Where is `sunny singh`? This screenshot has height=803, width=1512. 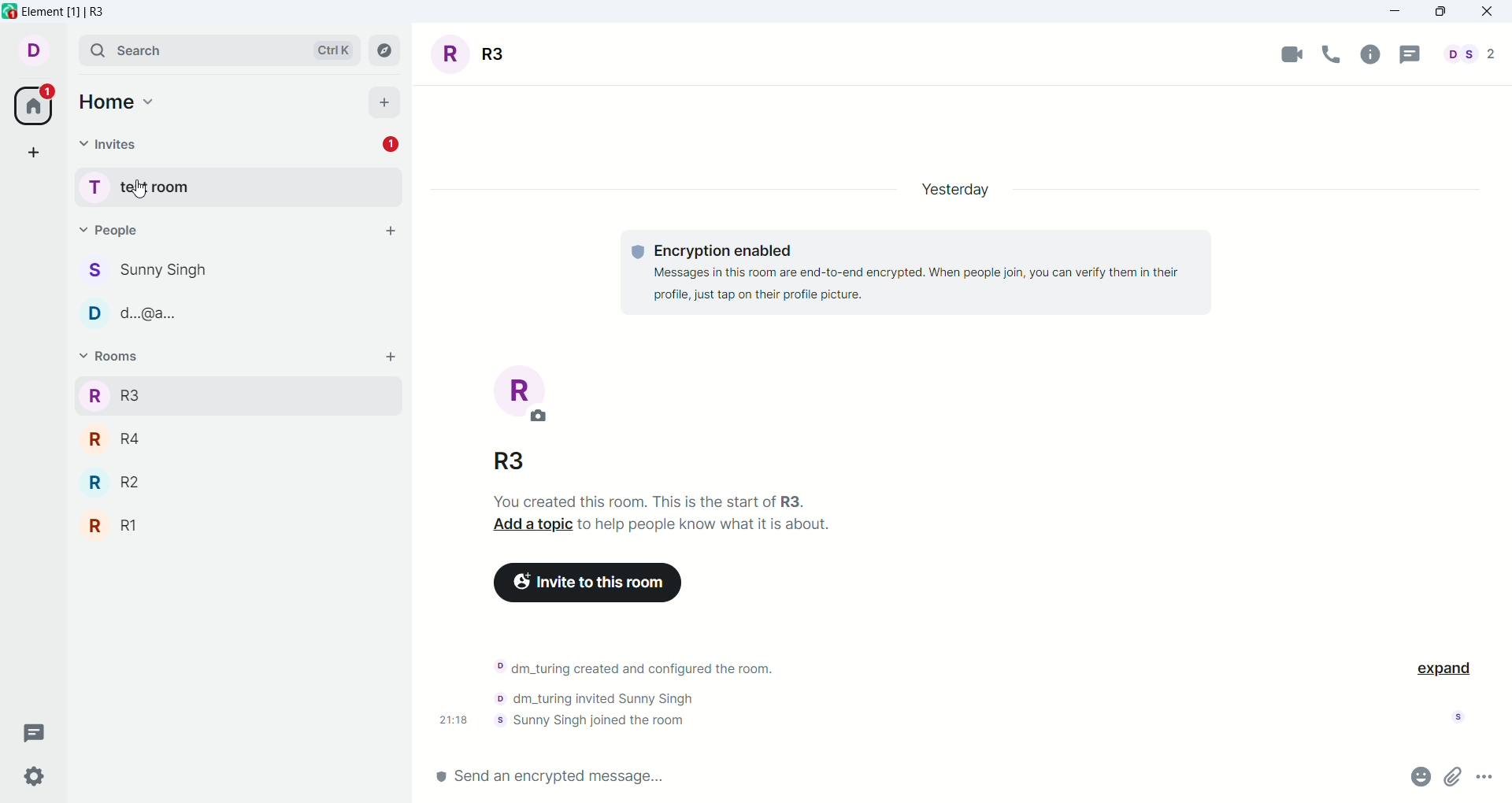 sunny singh is located at coordinates (240, 271).